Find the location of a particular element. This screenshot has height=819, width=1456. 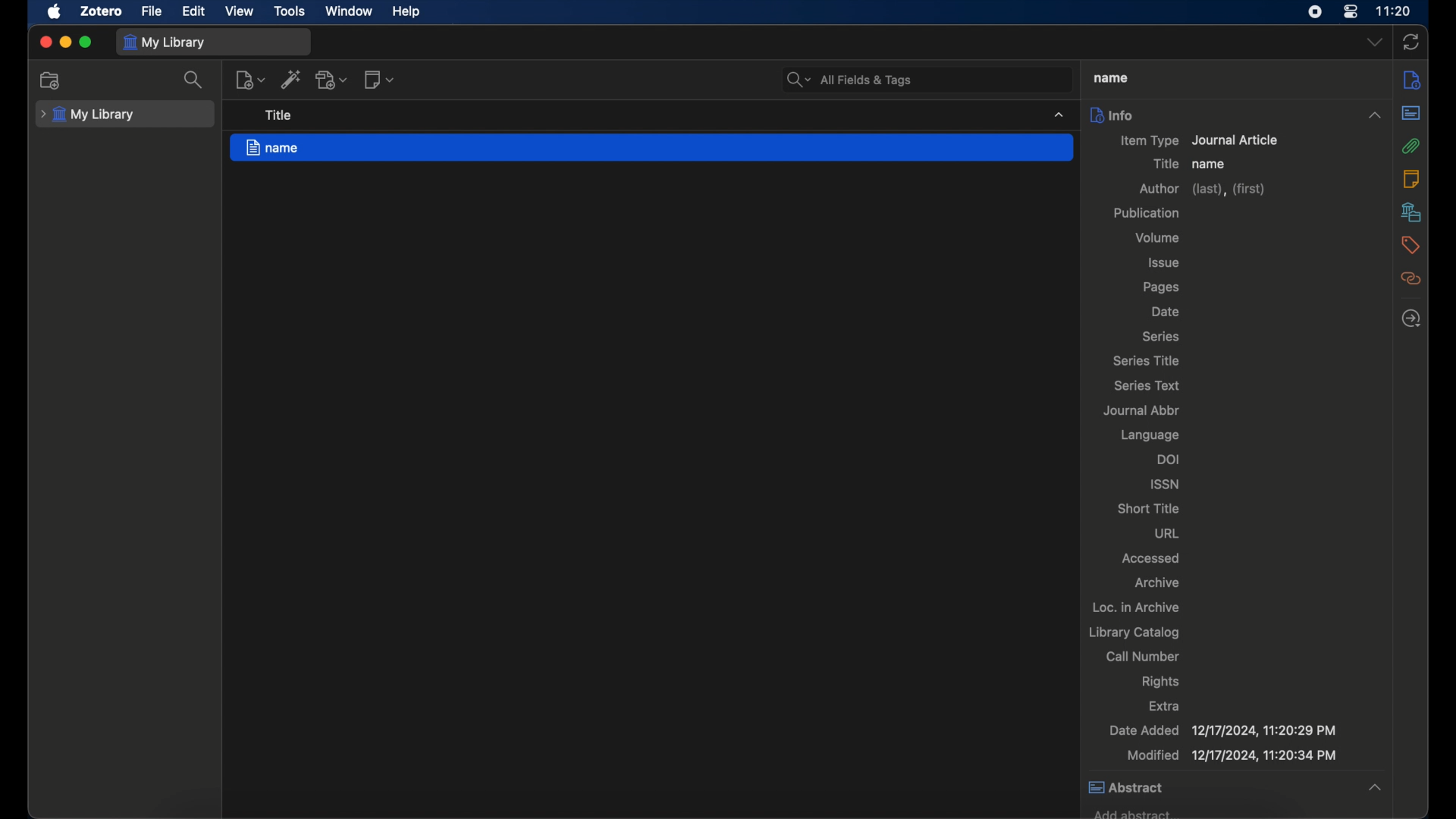

call number is located at coordinates (1144, 656).